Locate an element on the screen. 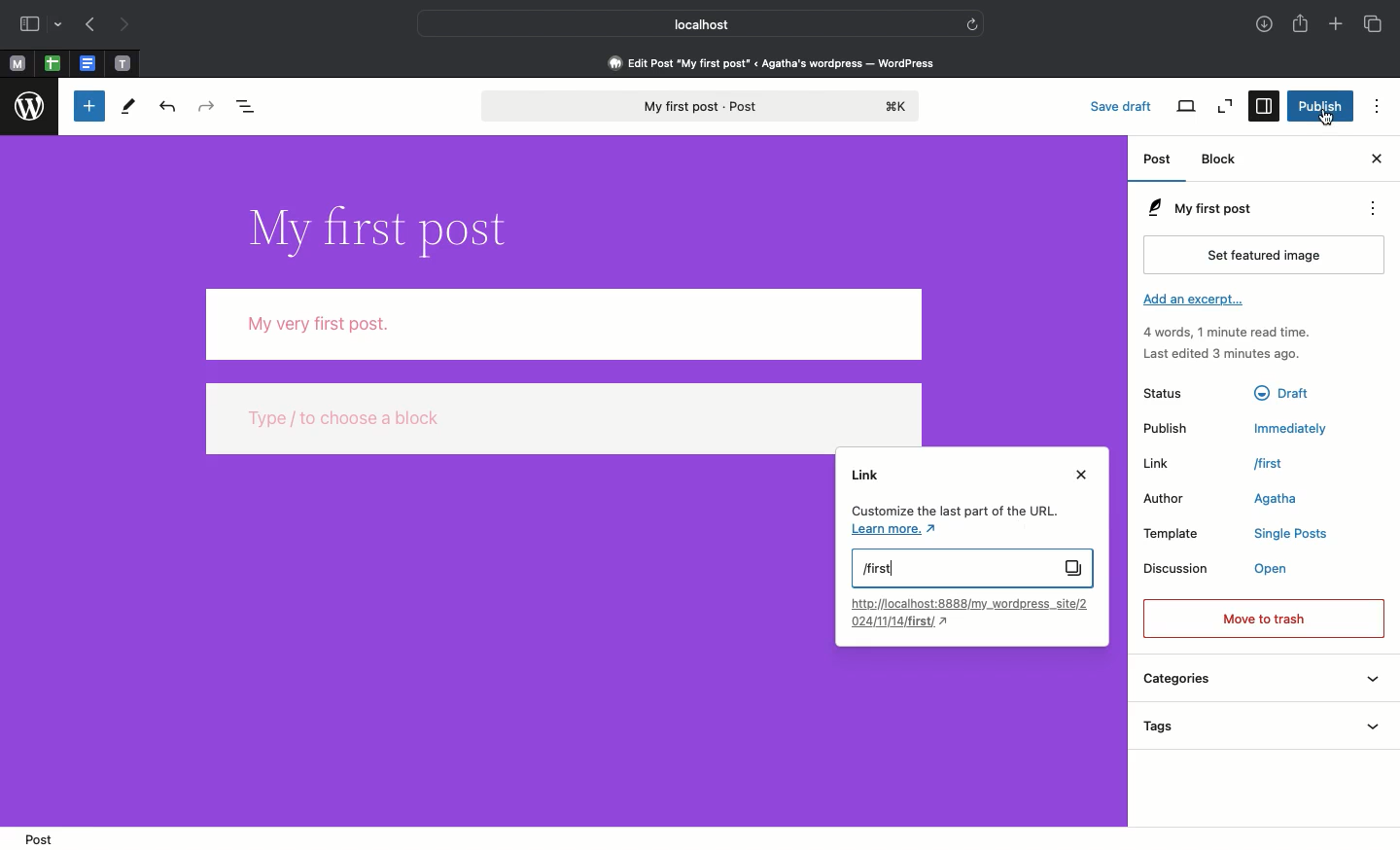  Set featured image is located at coordinates (1264, 254).